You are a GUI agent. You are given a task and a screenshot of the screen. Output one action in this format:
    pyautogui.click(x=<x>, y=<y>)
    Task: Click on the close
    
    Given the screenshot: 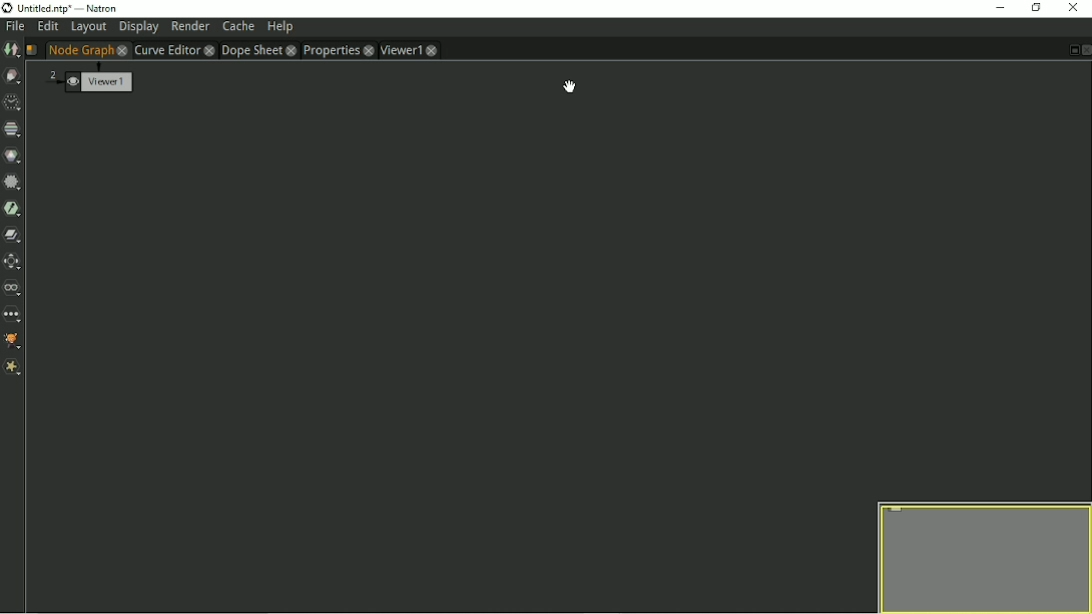 What is the action you would take?
    pyautogui.click(x=368, y=50)
    